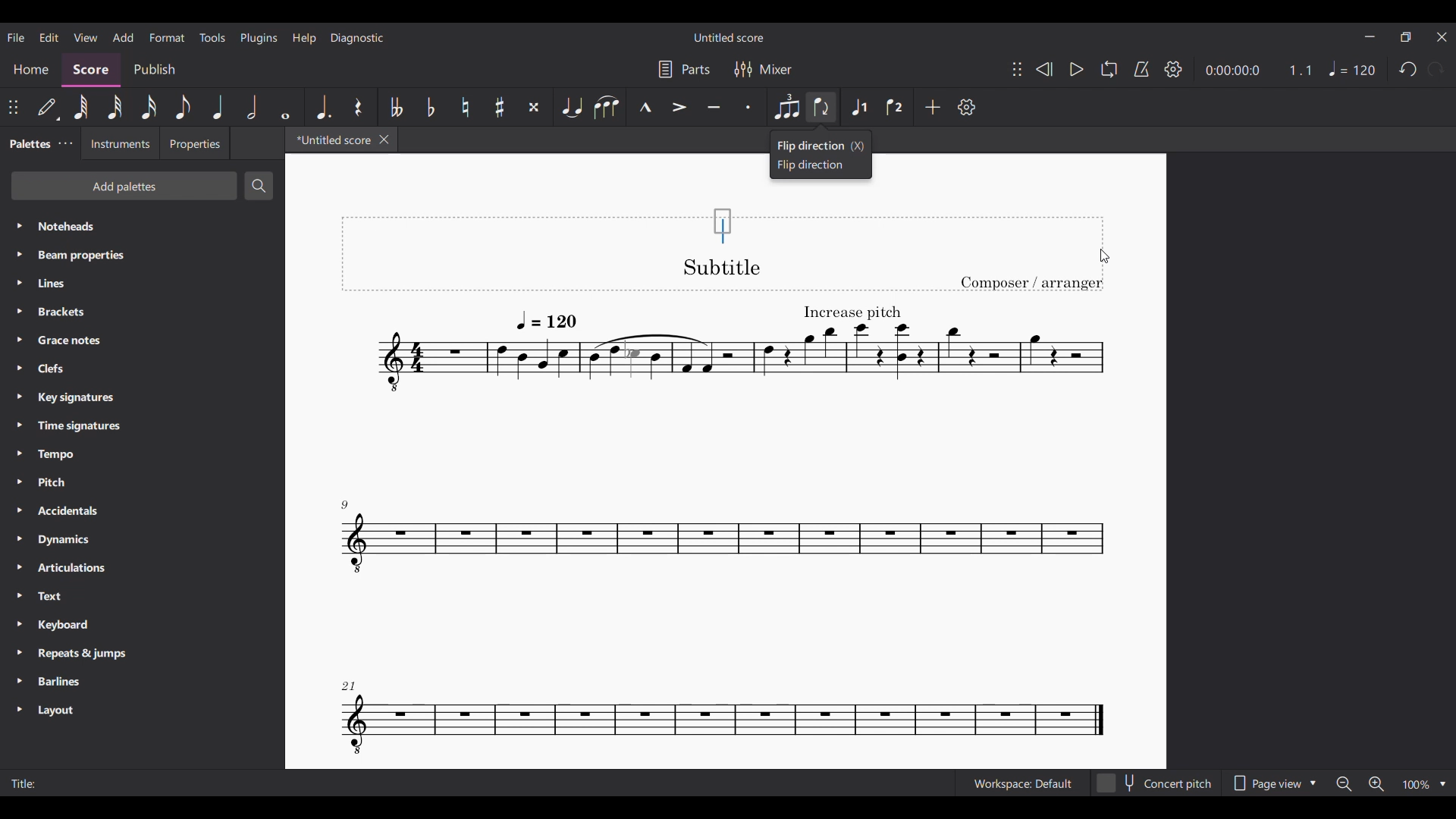 This screenshot has height=819, width=1456. What do you see at coordinates (149, 107) in the screenshot?
I see `16th note` at bounding box center [149, 107].